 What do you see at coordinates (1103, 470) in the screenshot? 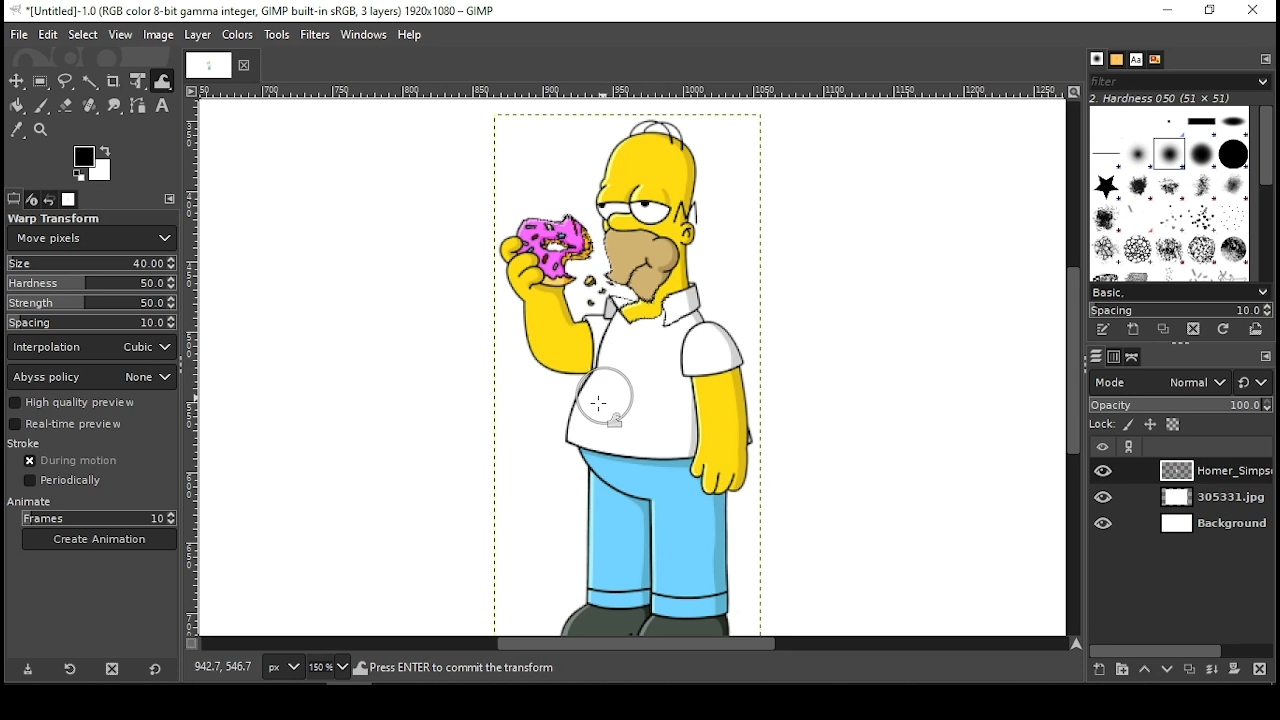
I see `layer visibility on/off` at bounding box center [1103, 470].